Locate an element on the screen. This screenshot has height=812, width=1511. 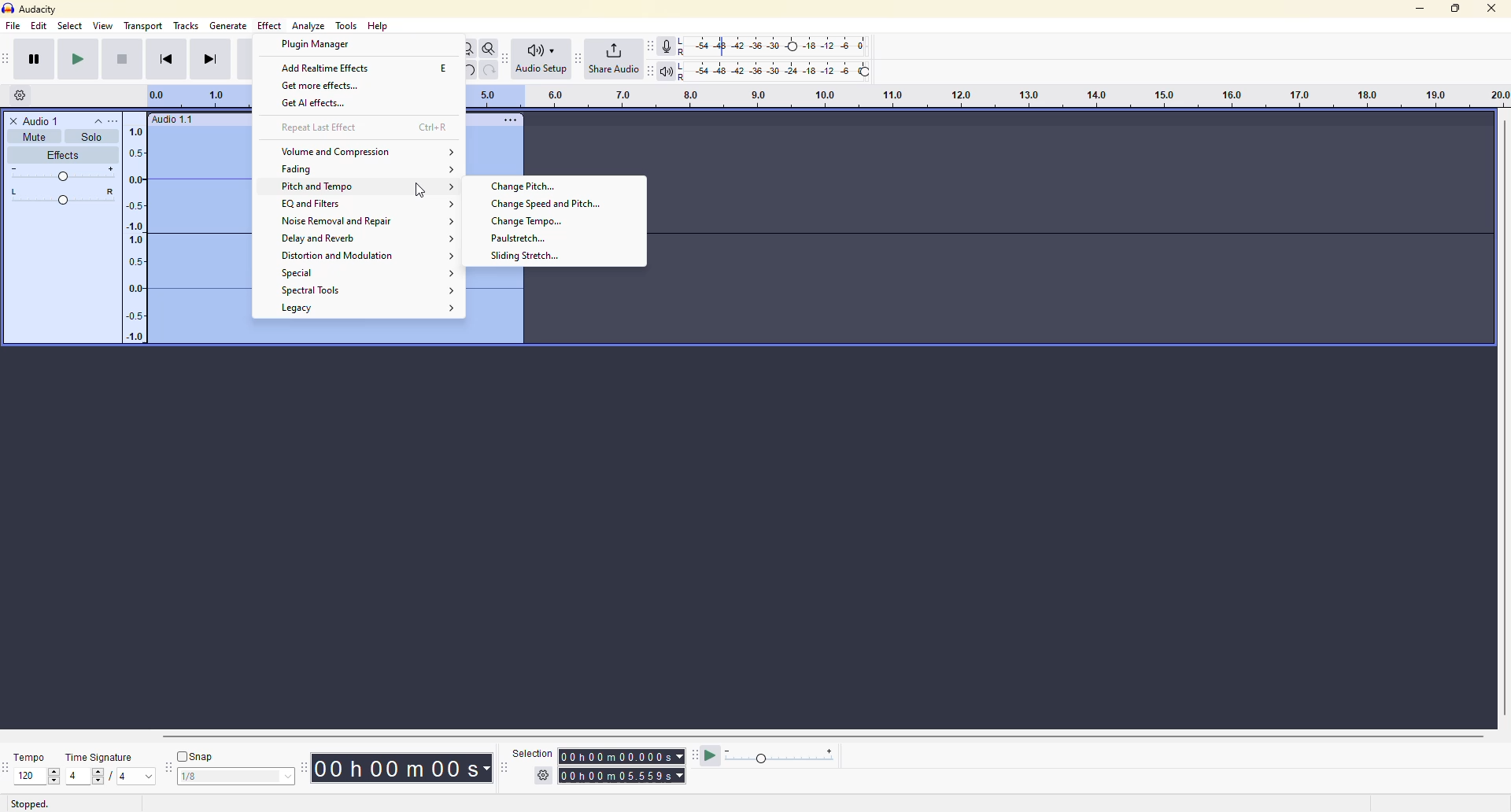
pause is located at coordinates (34, 58).